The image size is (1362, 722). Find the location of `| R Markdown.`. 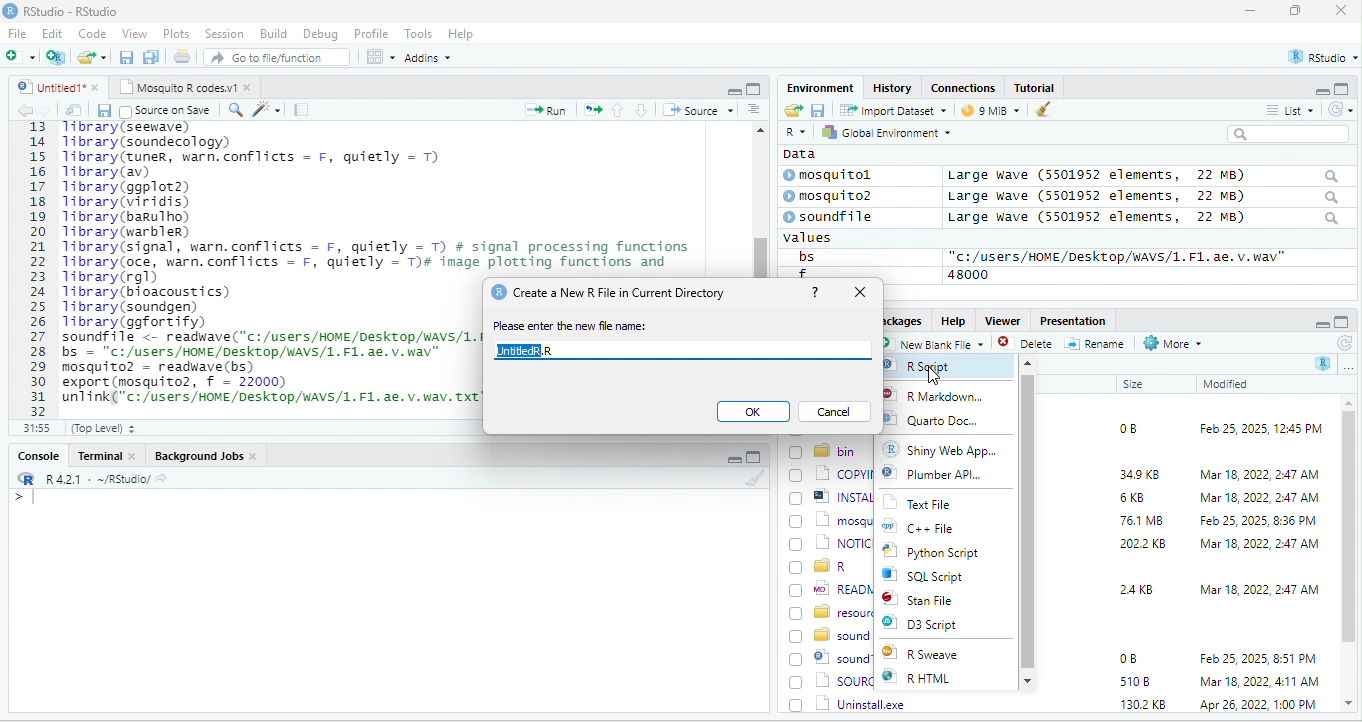

| R Markdown. is located at coordinates (940, 396).